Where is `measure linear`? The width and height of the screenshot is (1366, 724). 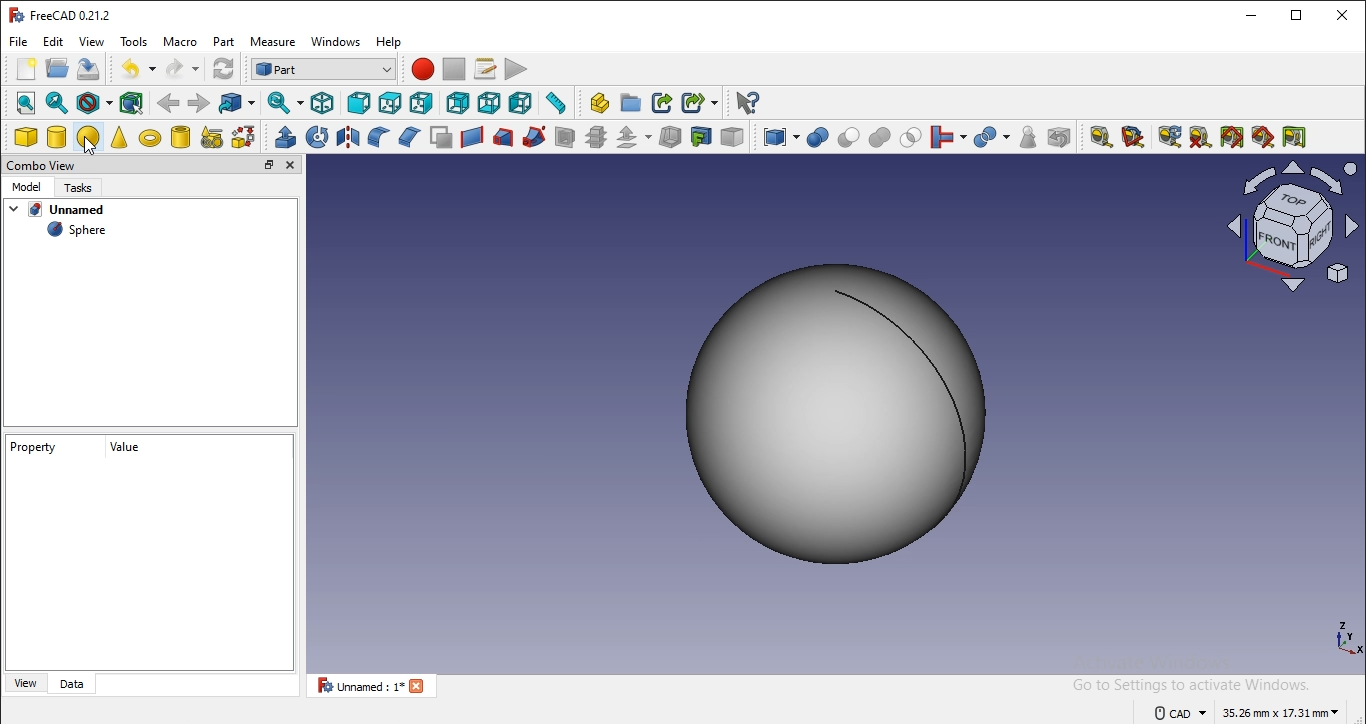
measure linear is located at coordinates (1100, 136).